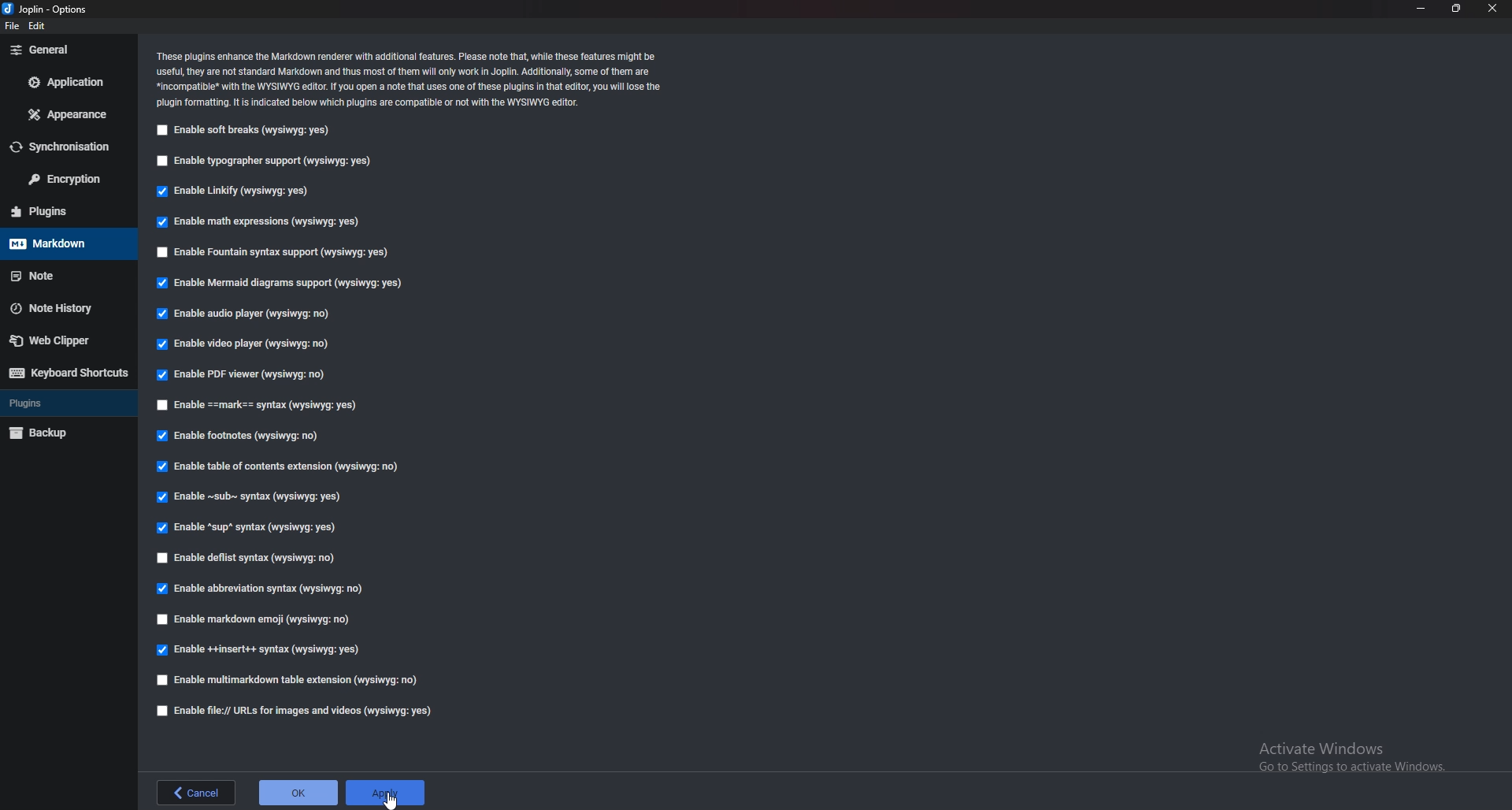  What do you see at coordinates (62, 49) in the screenshot?
I see `General` at bounding box center [62, 49].